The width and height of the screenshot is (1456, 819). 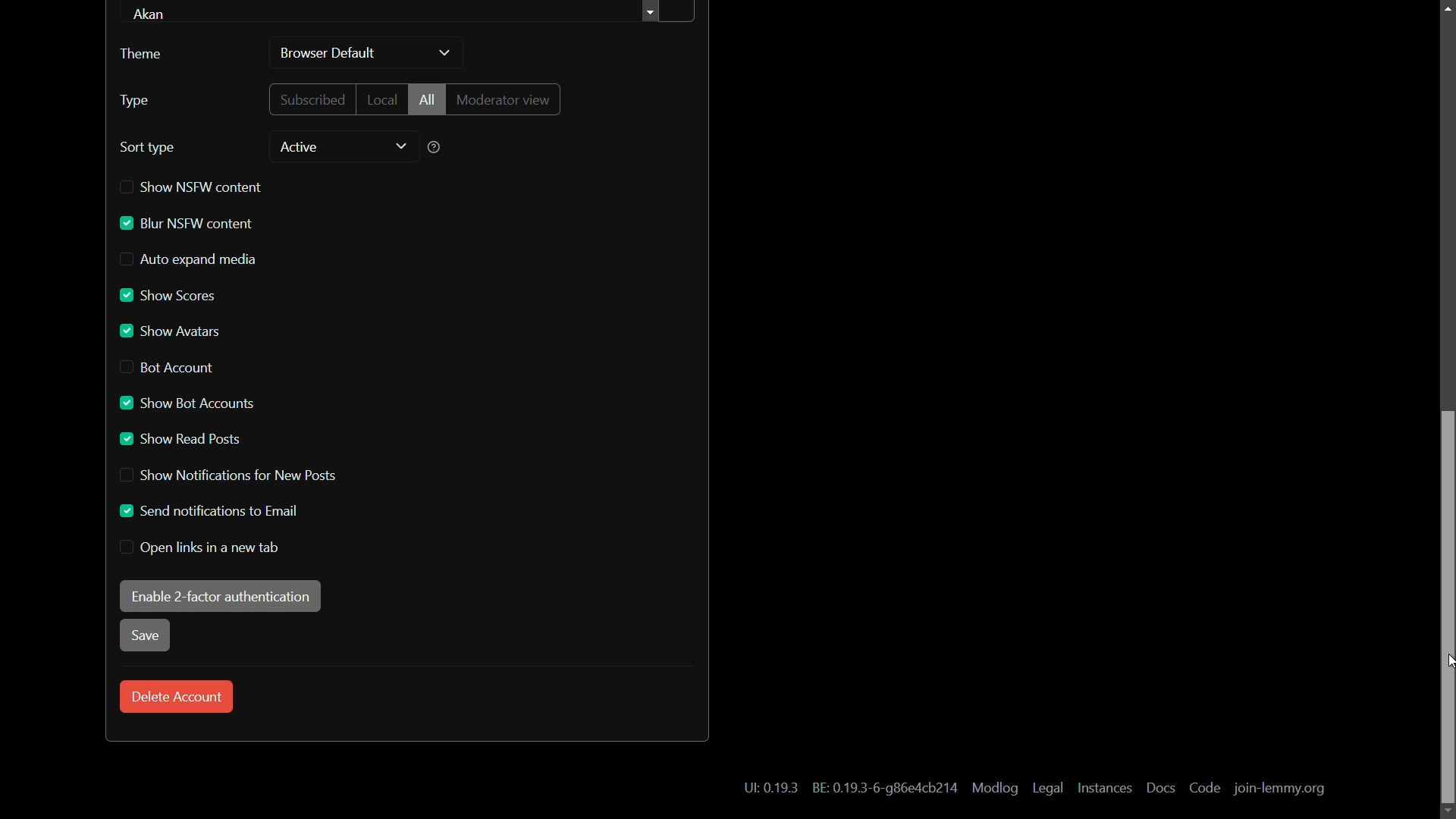 I want to click on theme, so click(x=140, y=54).